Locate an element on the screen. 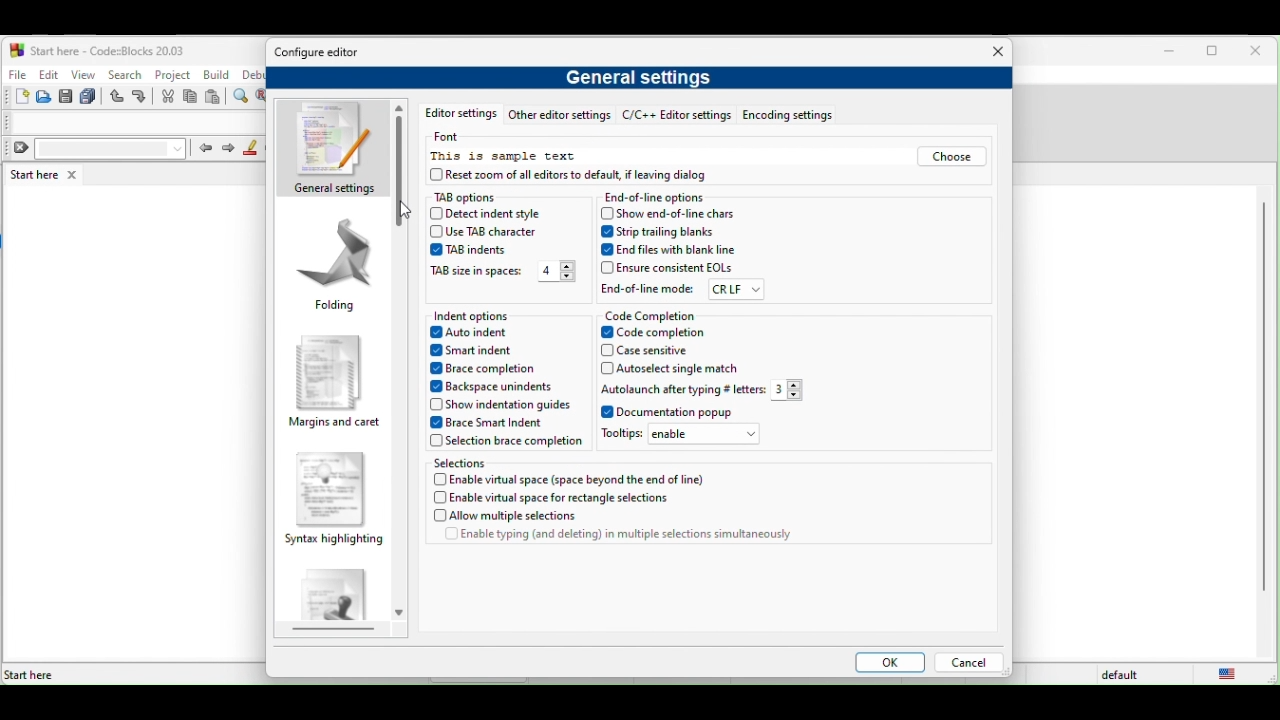  minimize is located at coordinates (1170, 52).